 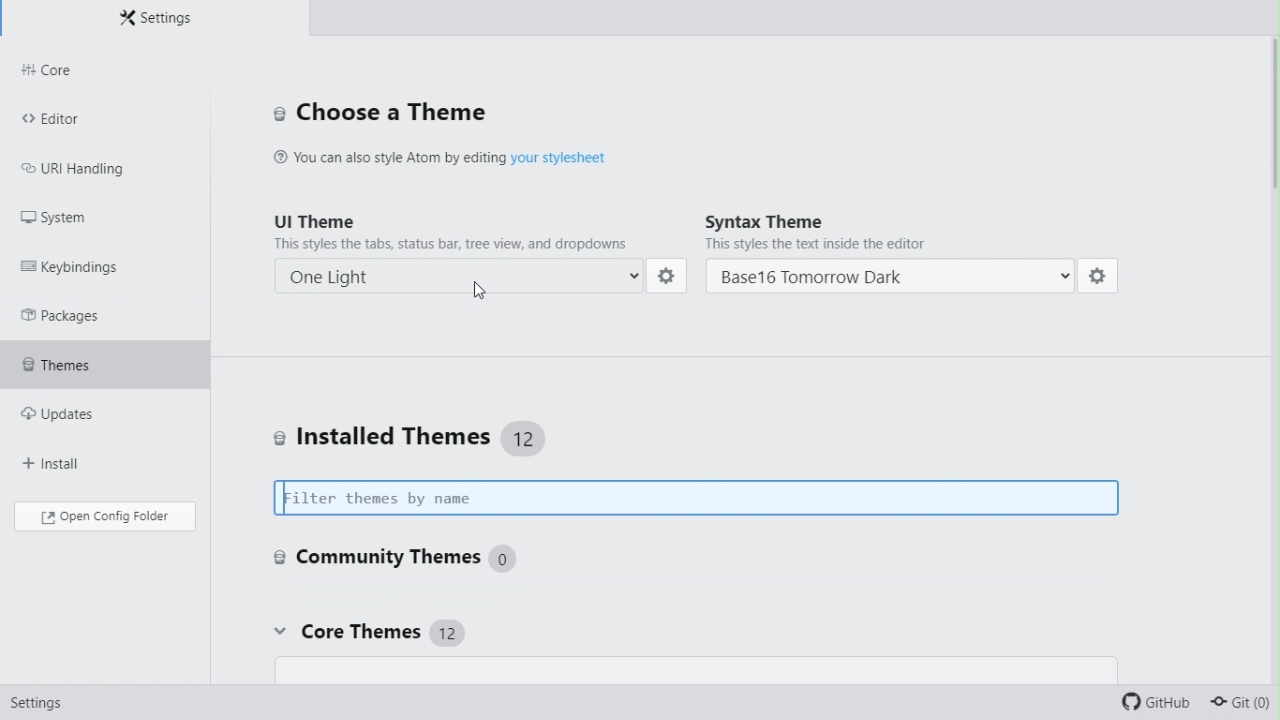 What do you see at coordinates (1246, 704) in the screenshot?
I see `Git` at bounding box center [1246, 704].